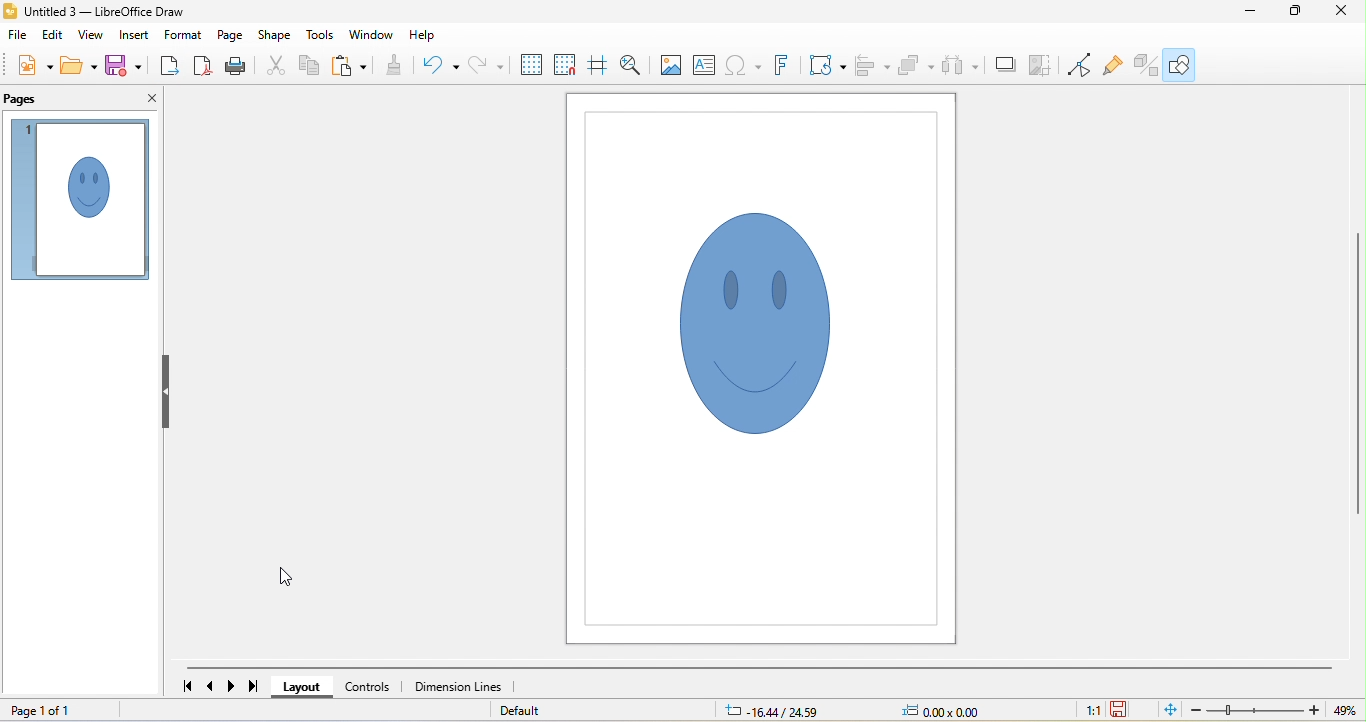  I want to click on file, so click(18, 34).